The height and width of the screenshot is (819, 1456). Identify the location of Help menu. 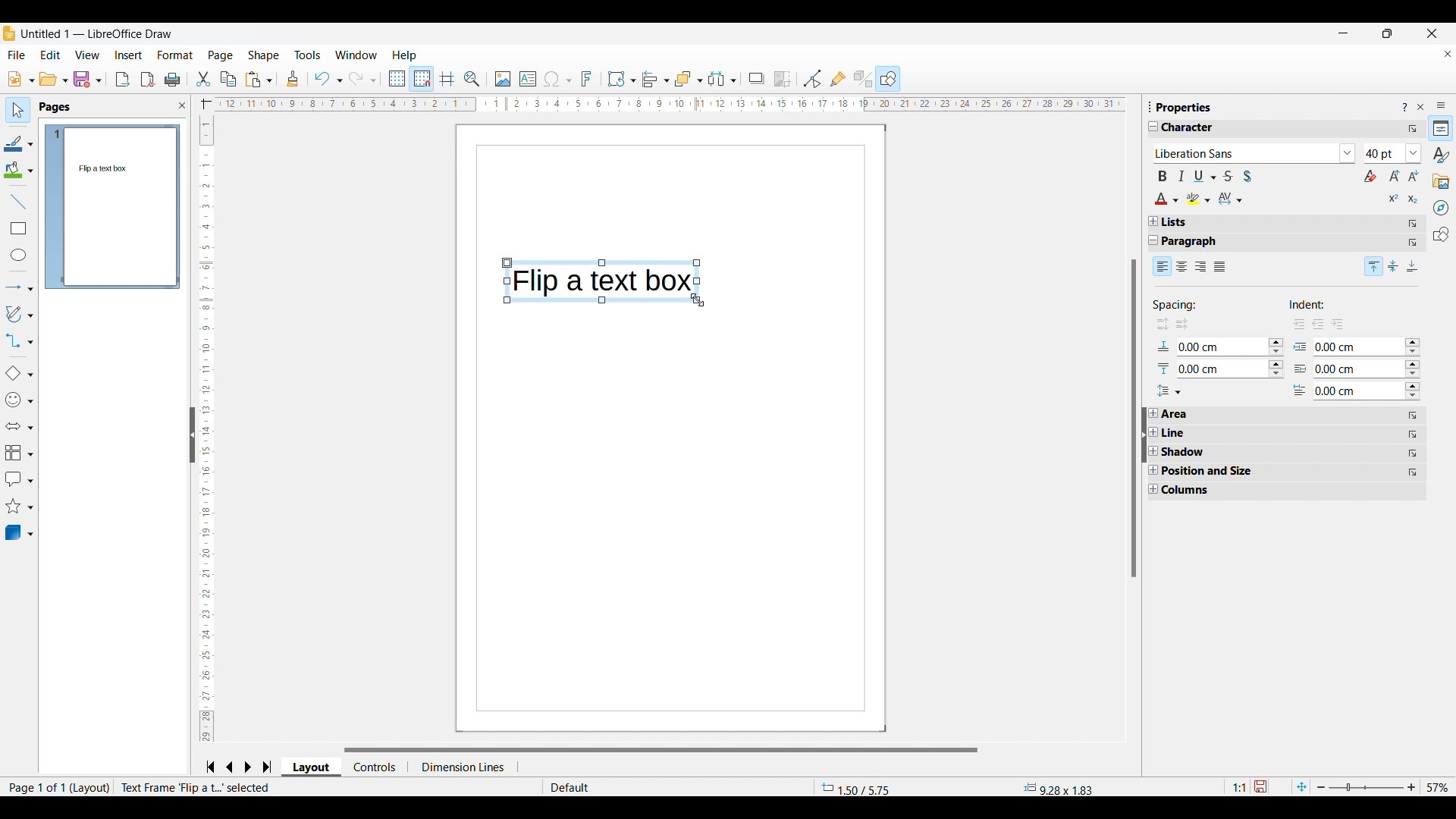
(405, 55).